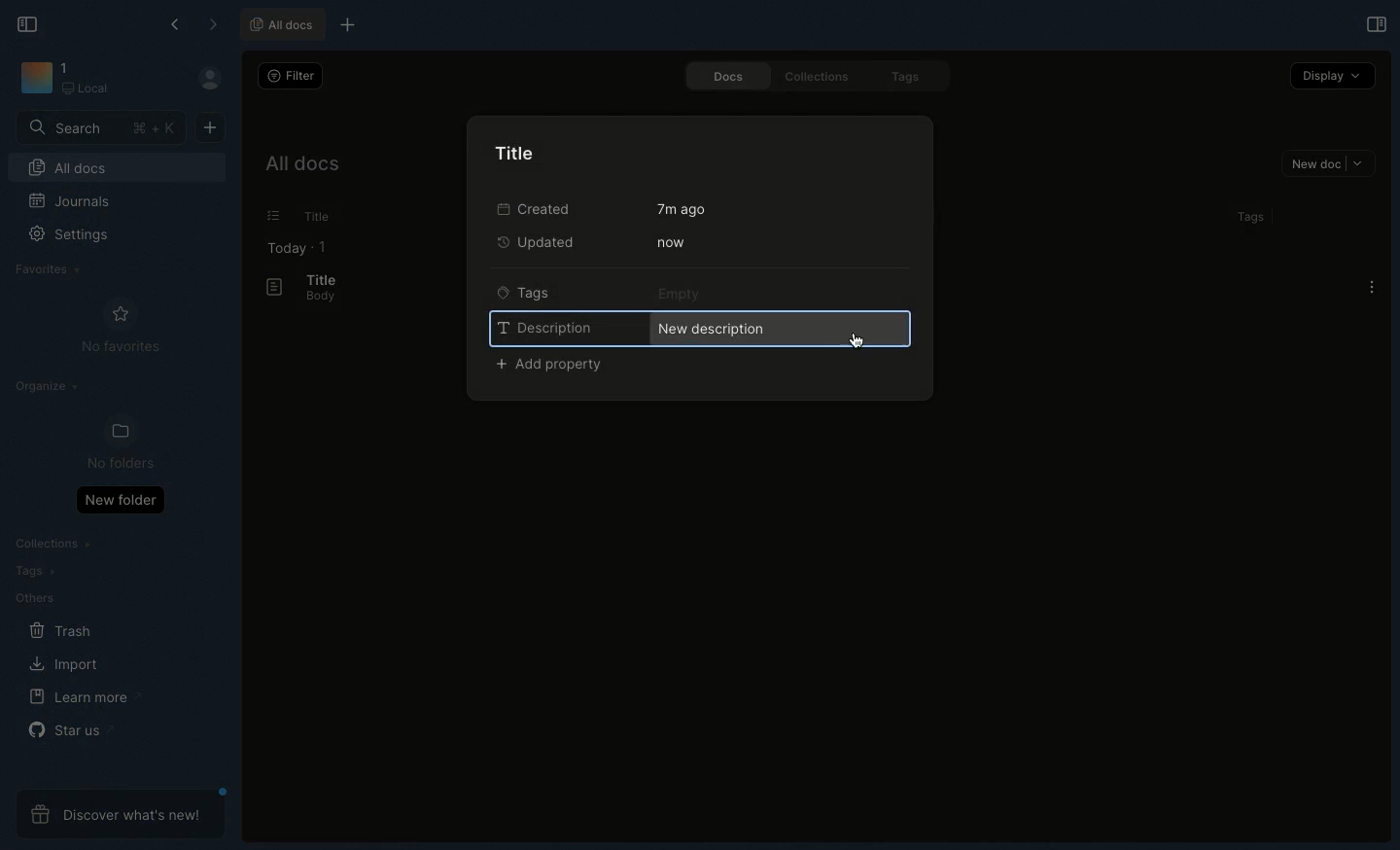 Image resolution: width=1400 pixels, height=850 pixels. What do you see at coordinates (720, 76) in the screenshot?
I see `Docs` at bounding box center [720, 76].